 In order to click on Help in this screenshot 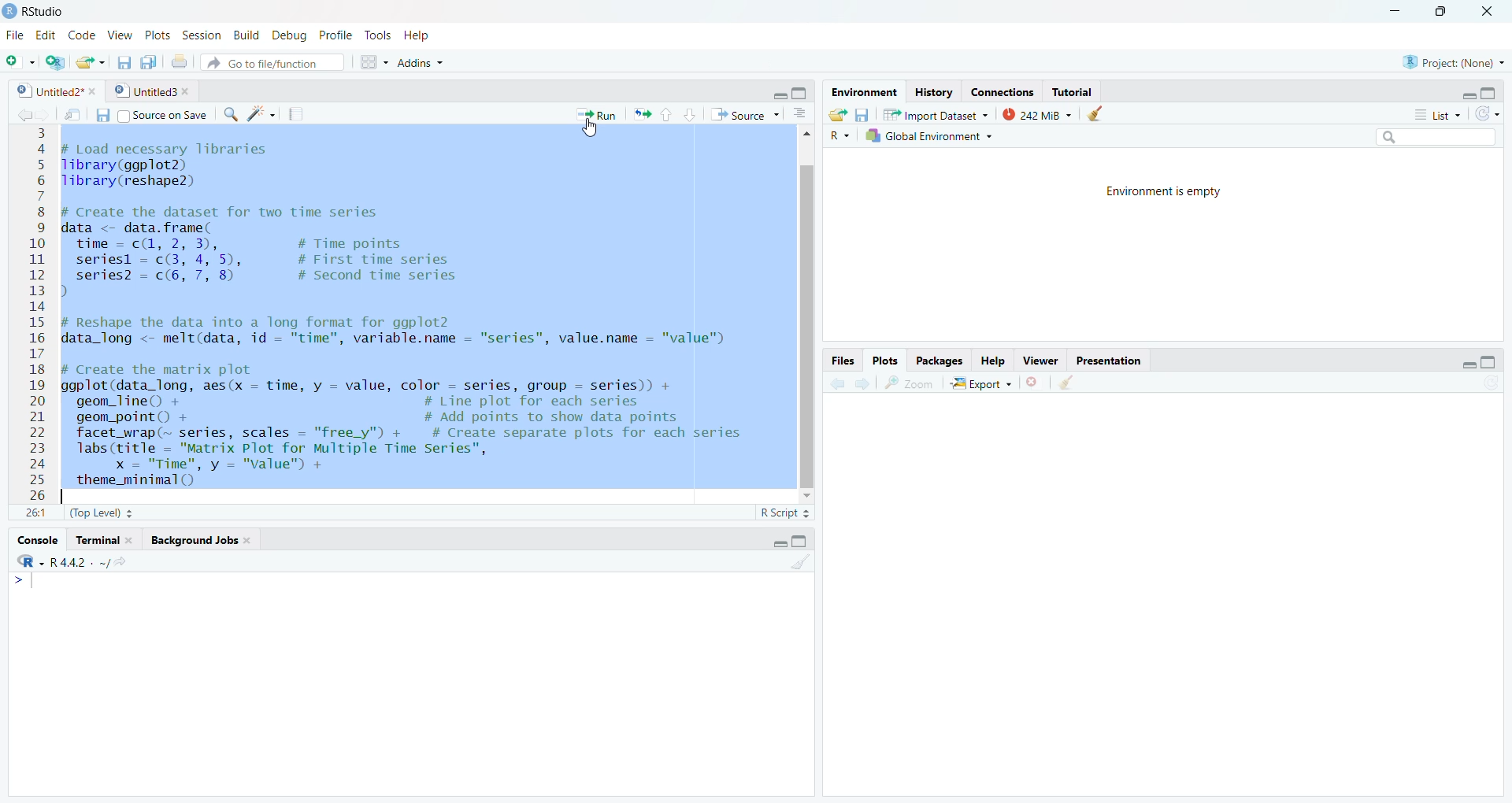, I will do `click(992, 359)`.